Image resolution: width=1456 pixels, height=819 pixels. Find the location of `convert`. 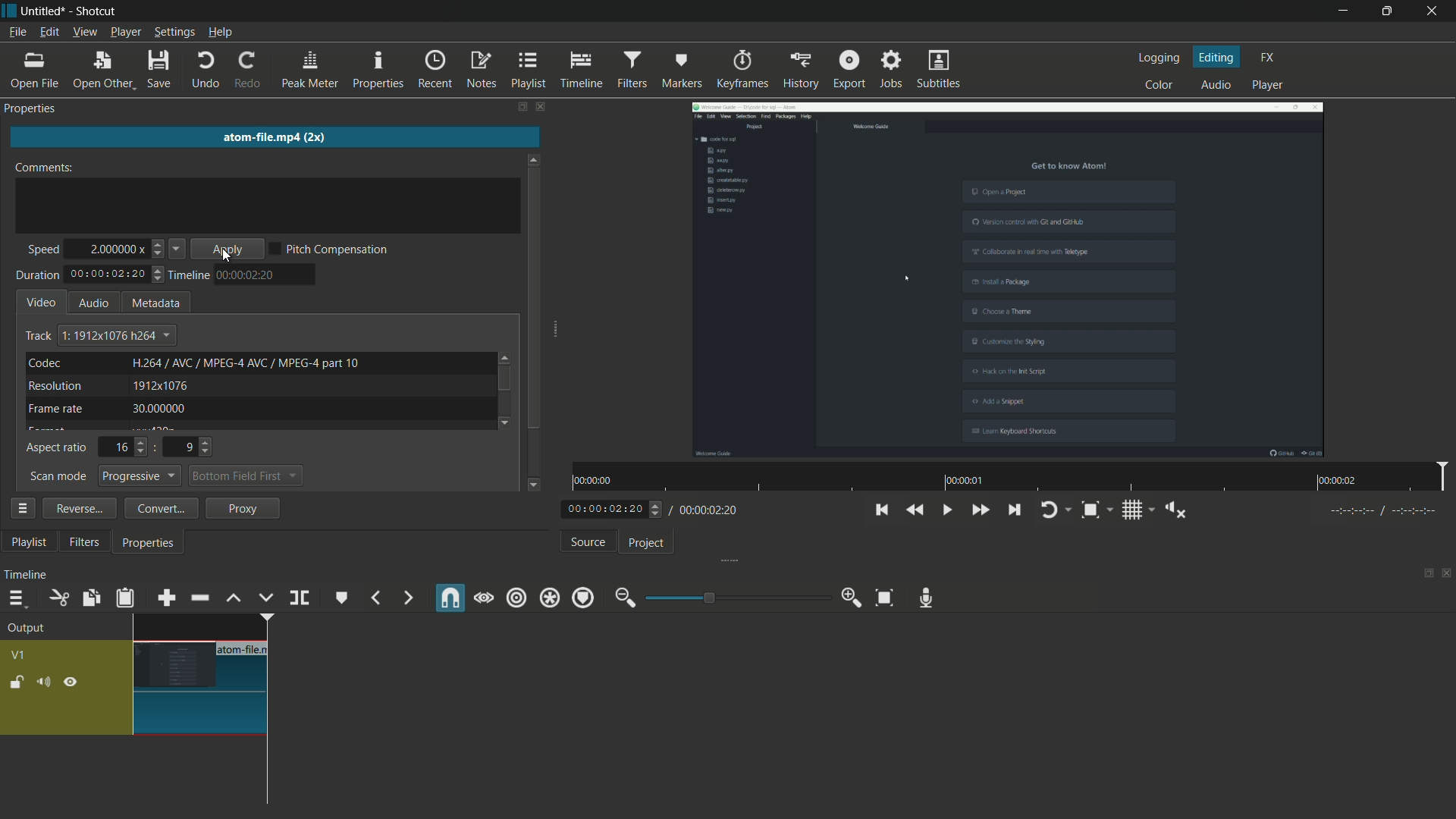

convert is located at coordinates (162, 507).